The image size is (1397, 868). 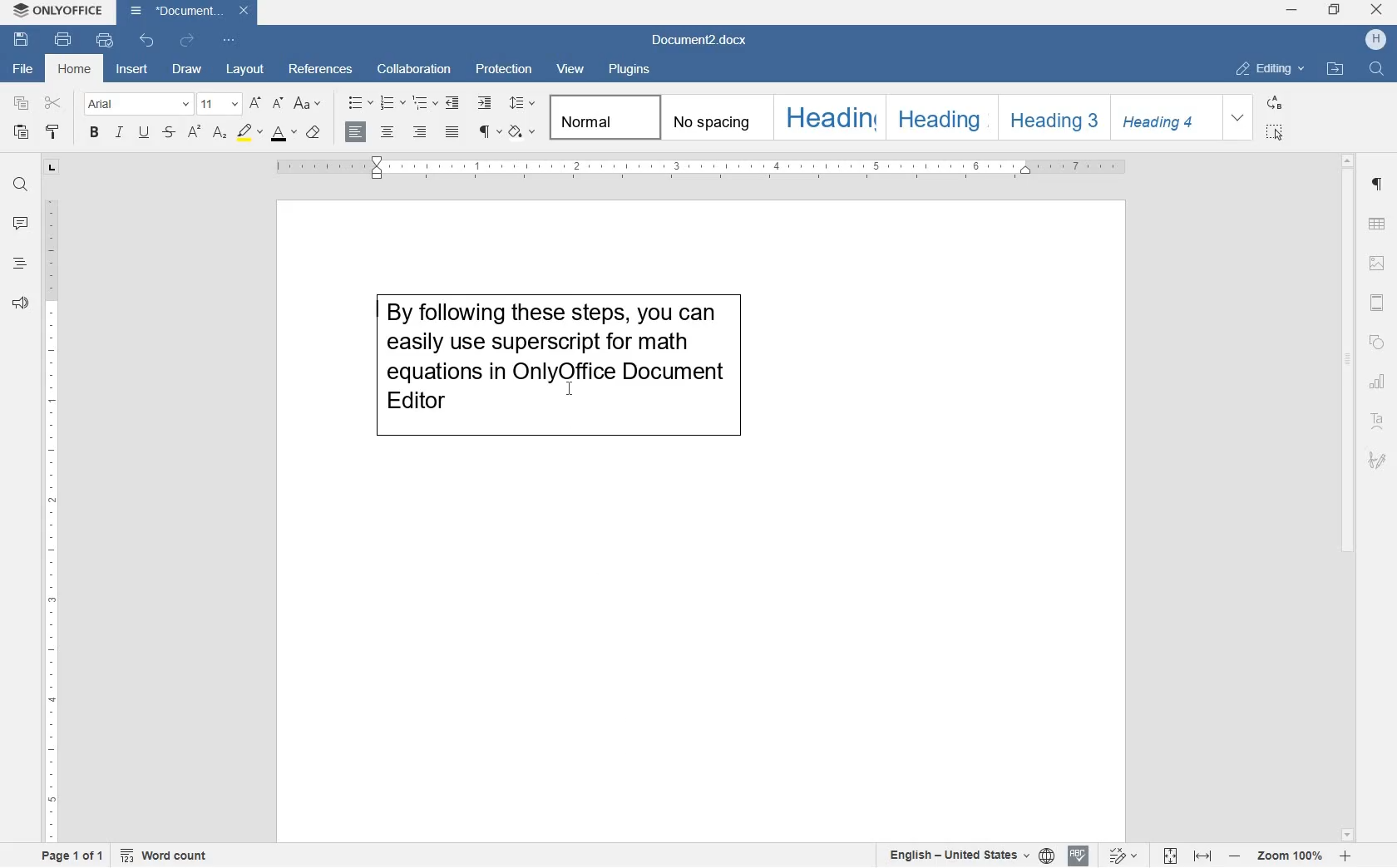 I want to click on numbering, so click(x=394, y=102).